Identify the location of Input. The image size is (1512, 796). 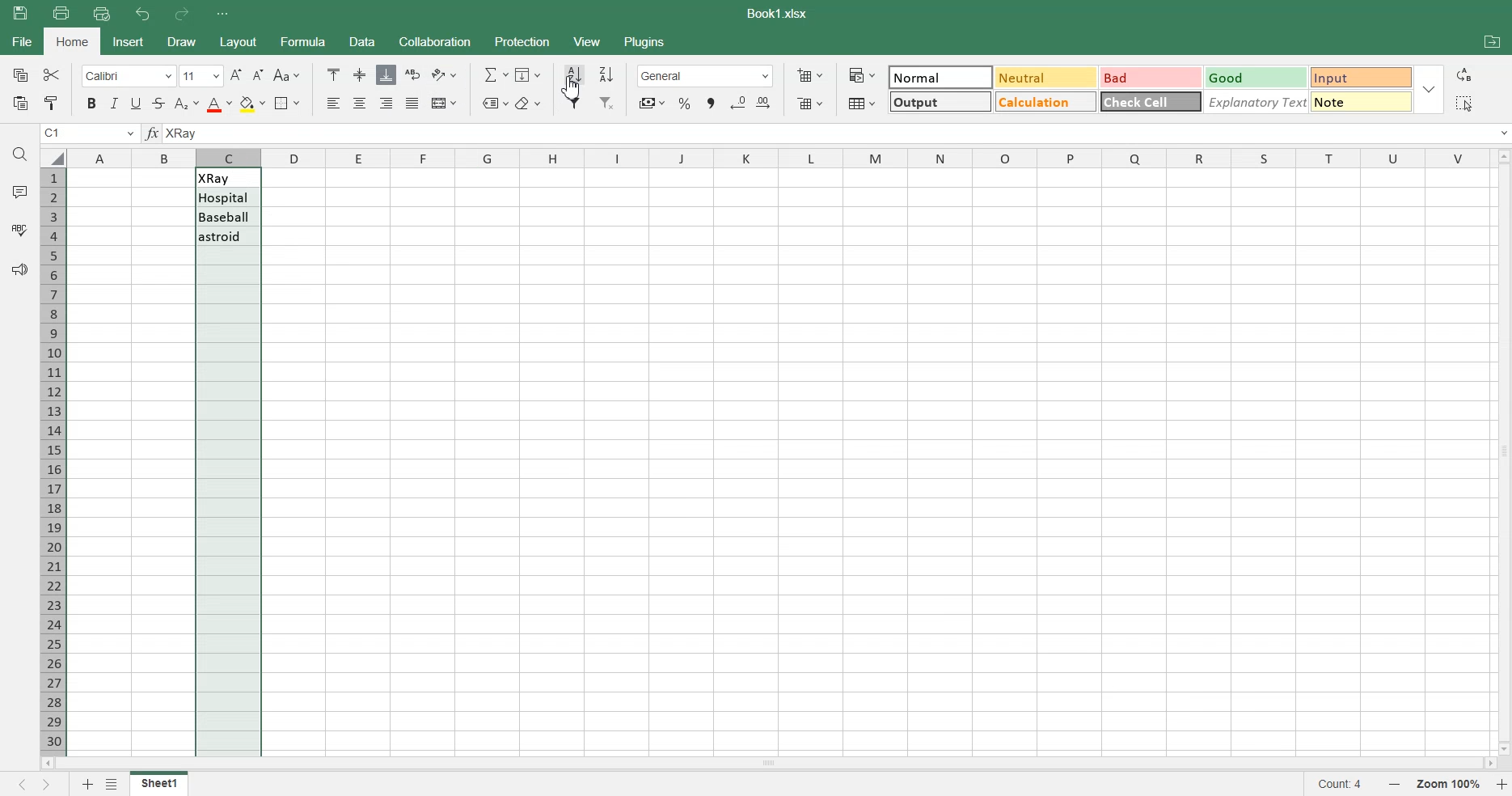
(1358, 75).